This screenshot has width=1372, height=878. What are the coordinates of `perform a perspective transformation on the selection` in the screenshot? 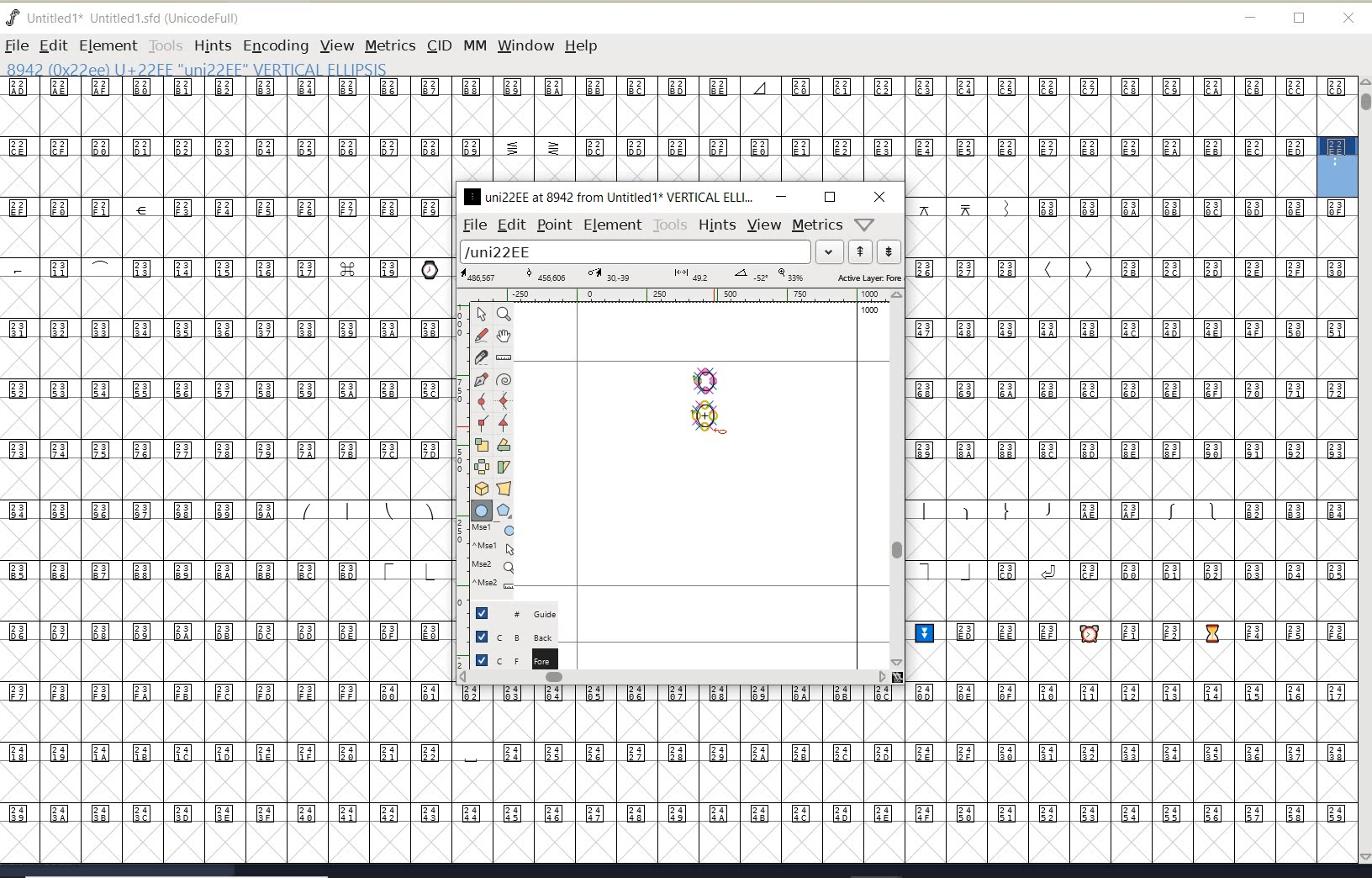 It's located at (504, 488).